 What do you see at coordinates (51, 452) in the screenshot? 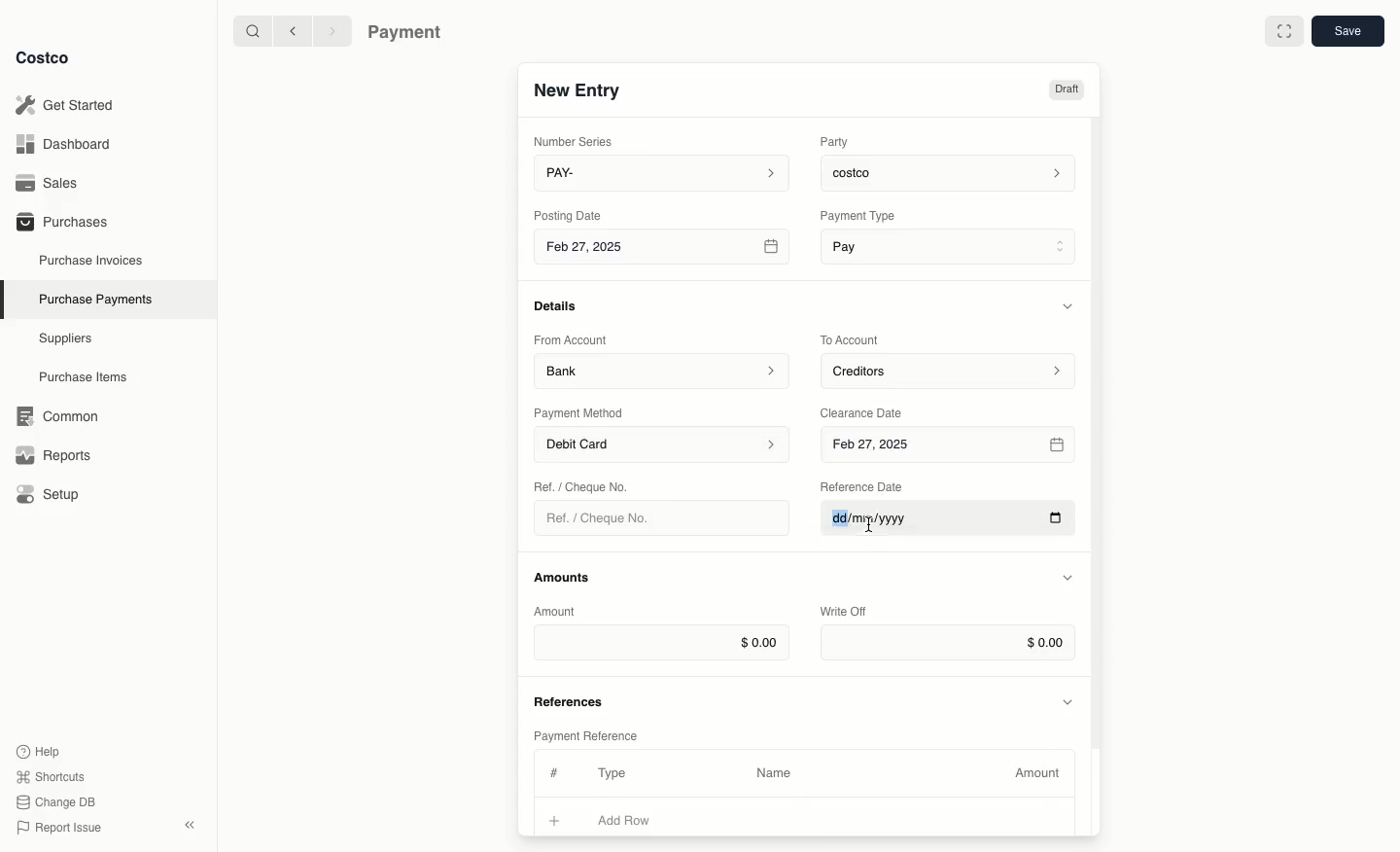
I see `Reports` at bounding box center [51, 452].